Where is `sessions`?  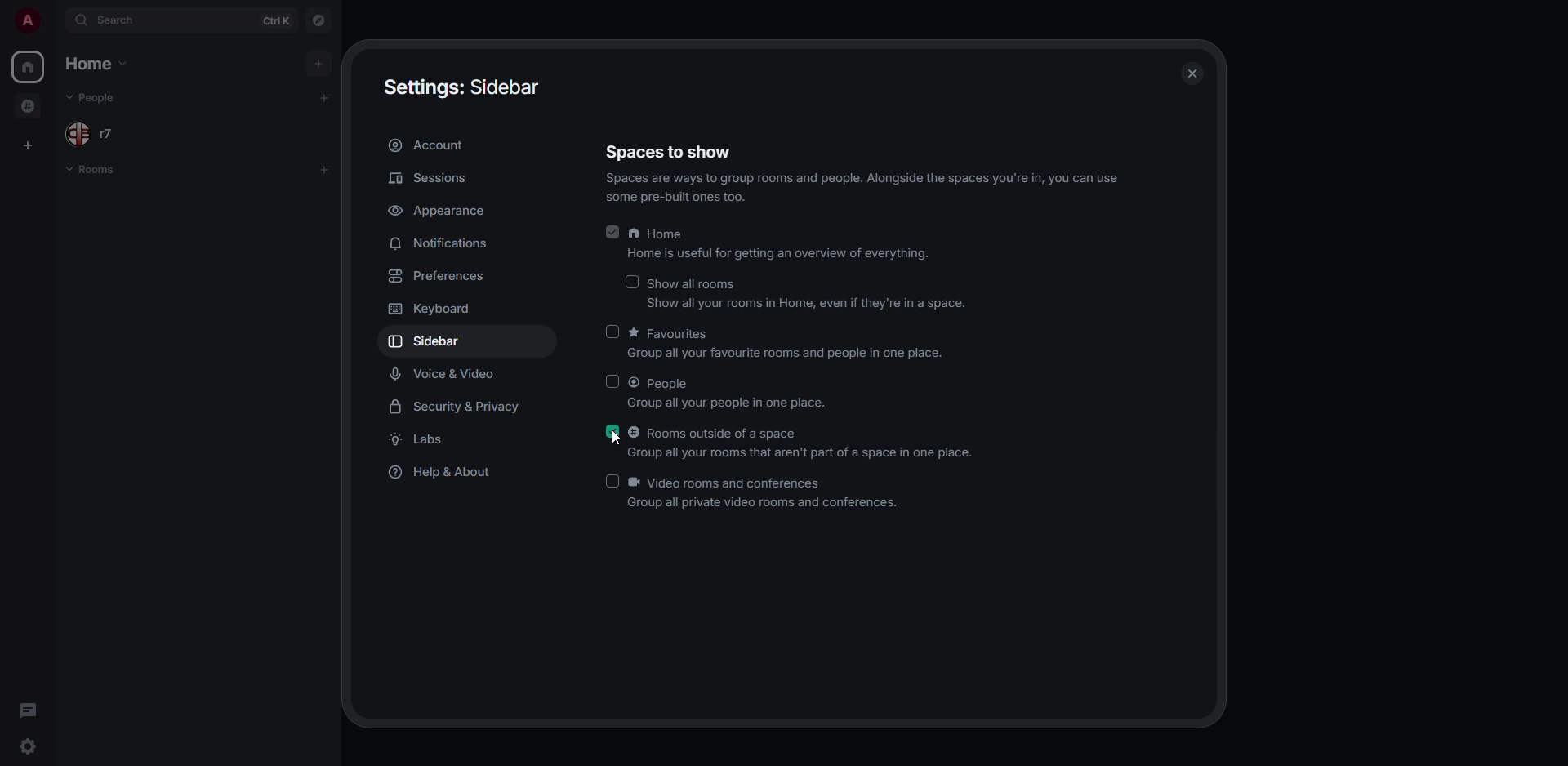
sessions is located at coordinates (430, 180).